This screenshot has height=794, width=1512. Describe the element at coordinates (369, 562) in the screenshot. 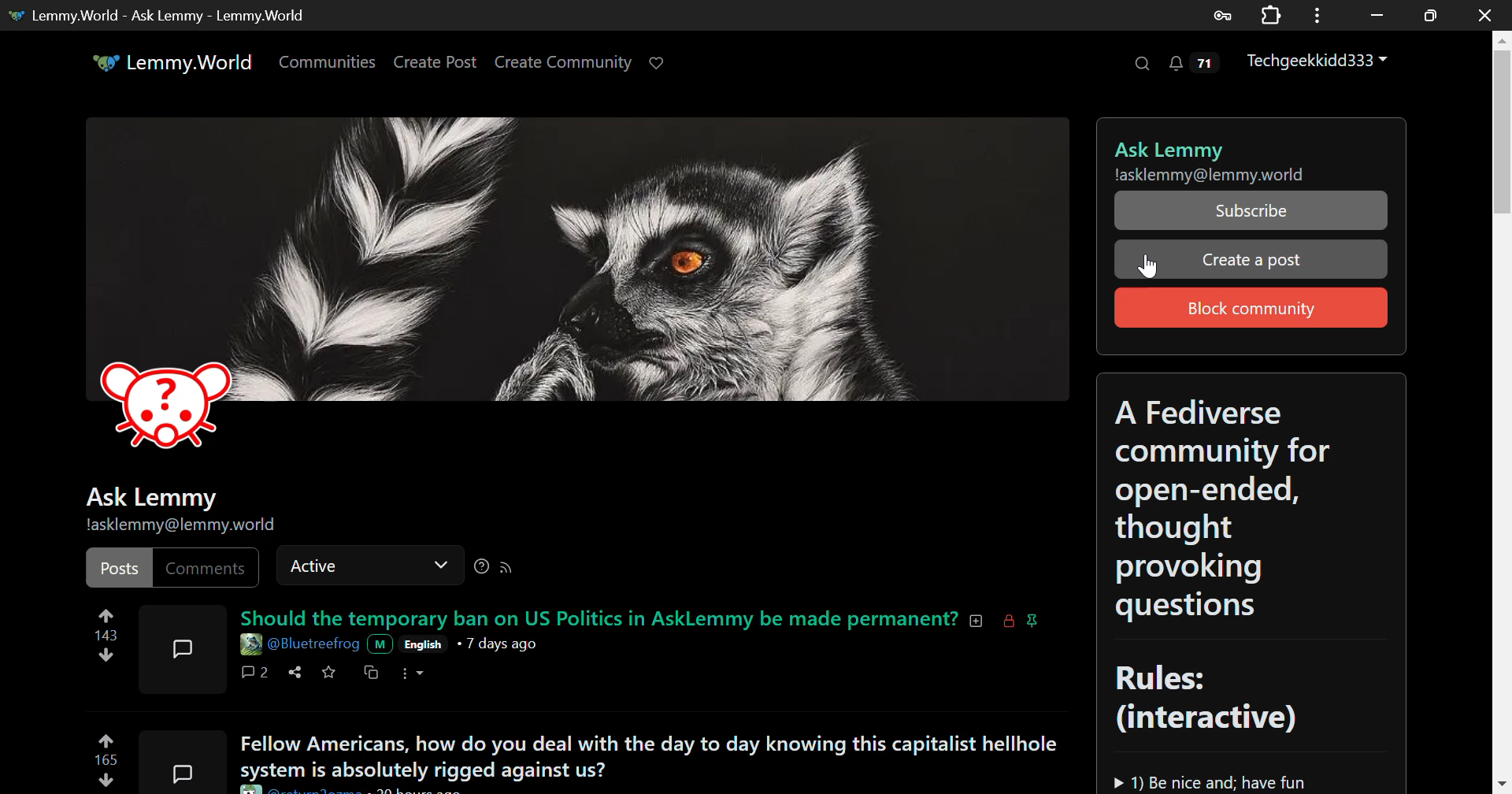

I see `Status Bar Filter` at that location.